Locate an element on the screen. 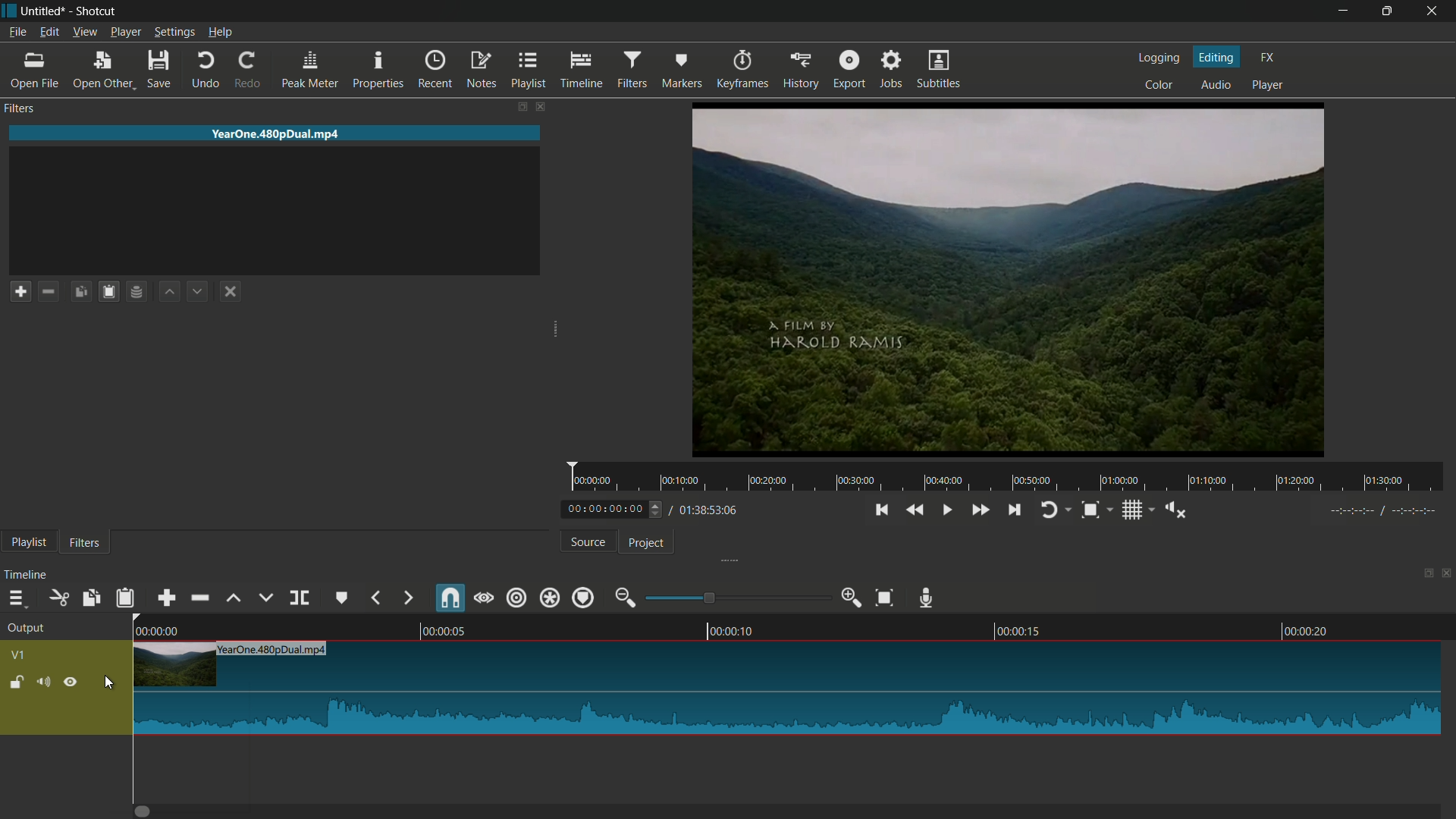  file menu is located at coordinates (17, 33).